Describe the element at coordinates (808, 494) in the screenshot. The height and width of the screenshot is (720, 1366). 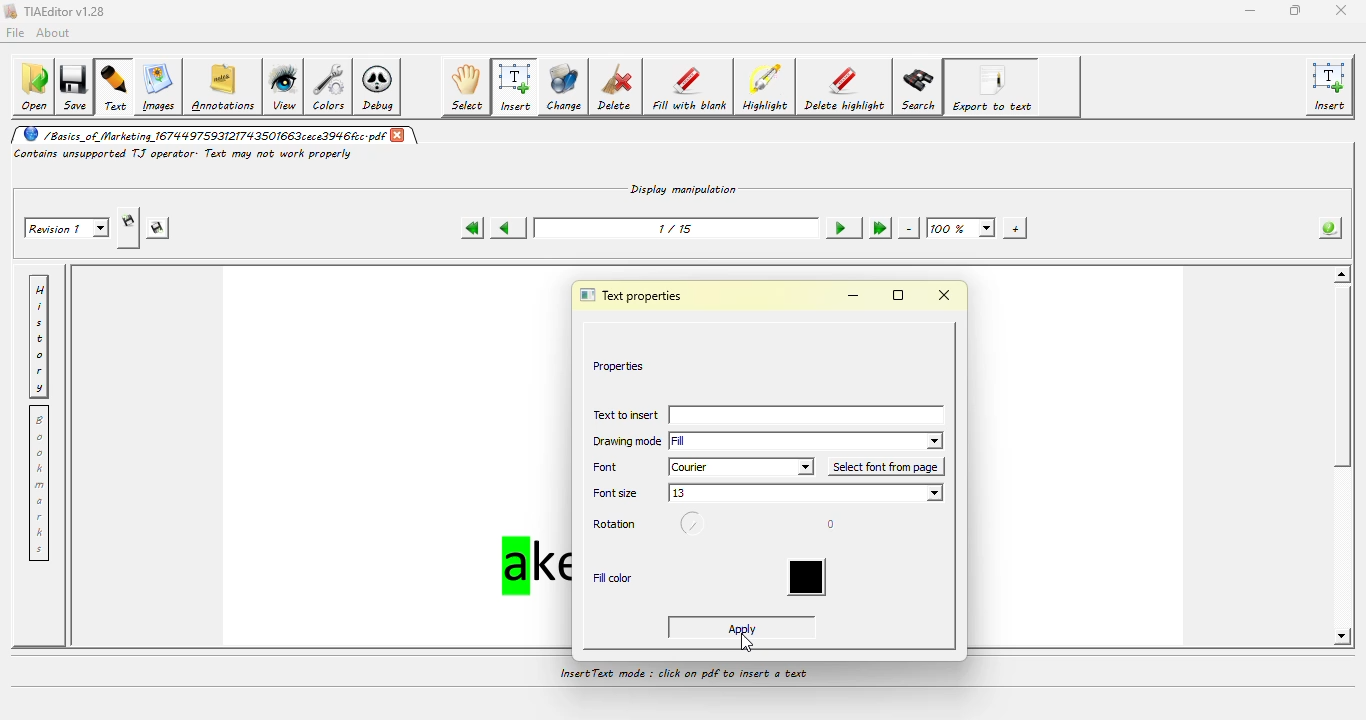
I see `13` at that location.